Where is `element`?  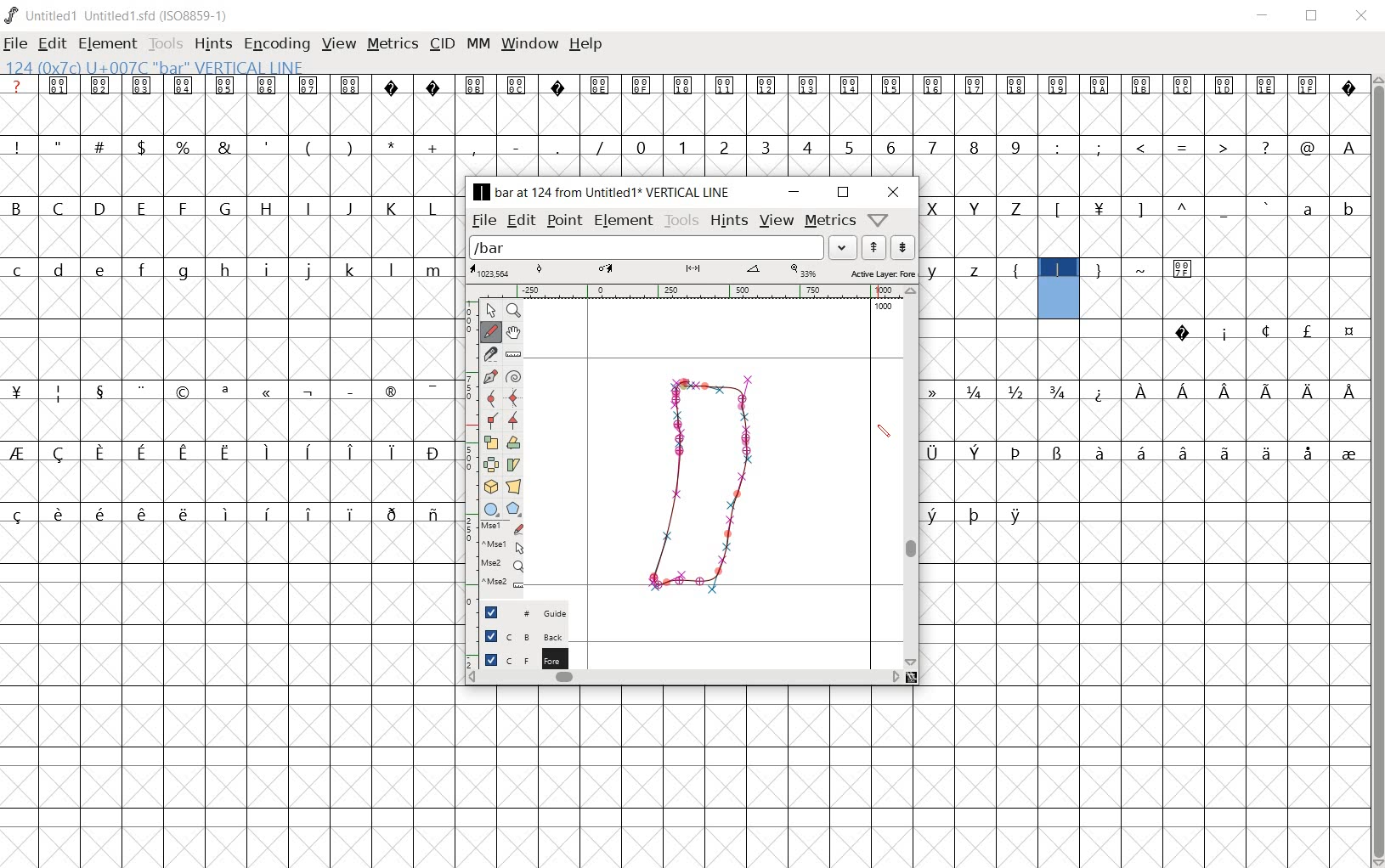 element is located at coordinates (623, 220).